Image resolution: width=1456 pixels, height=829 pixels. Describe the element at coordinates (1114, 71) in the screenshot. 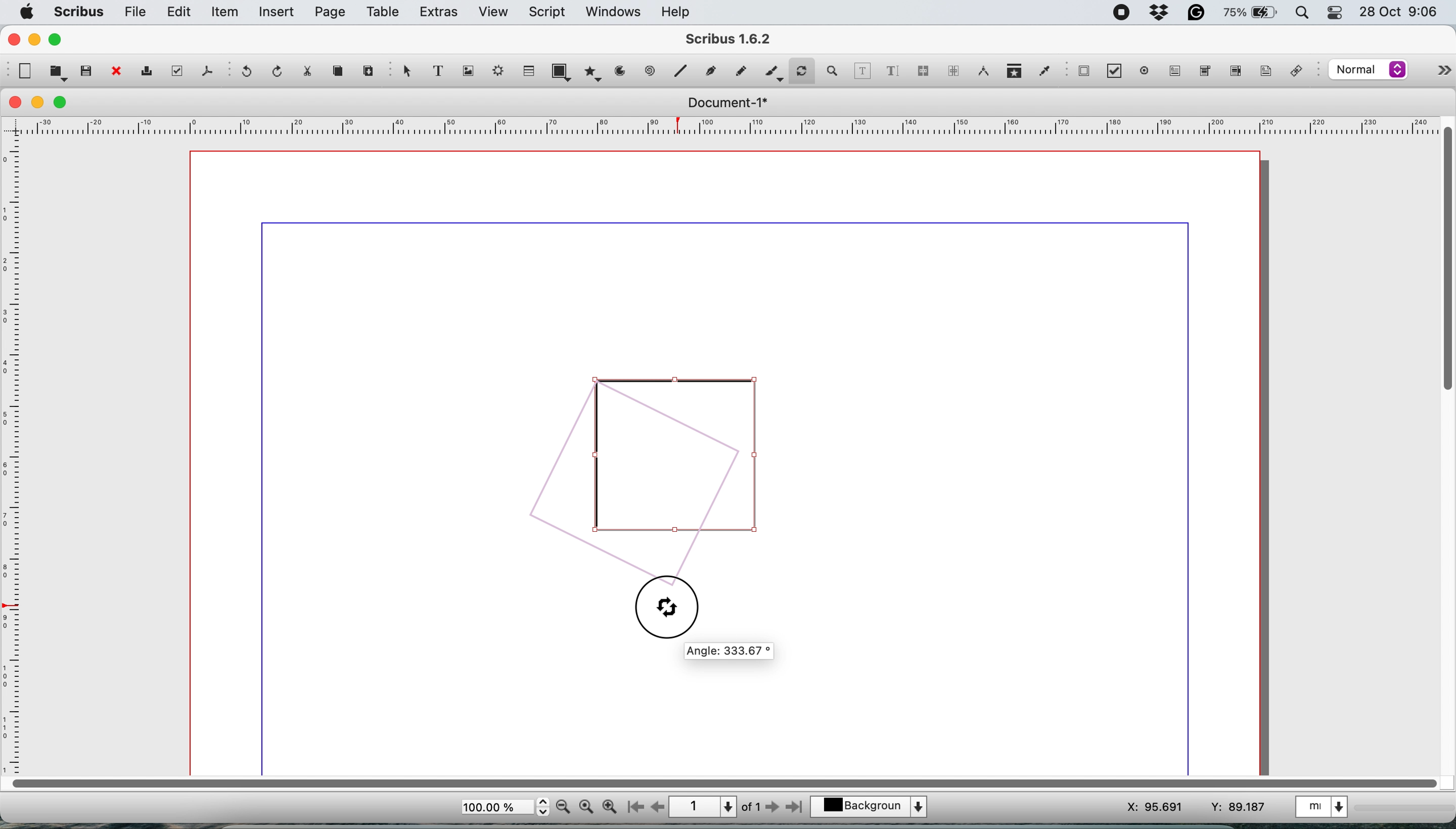

I see `pdf check box` at that location.